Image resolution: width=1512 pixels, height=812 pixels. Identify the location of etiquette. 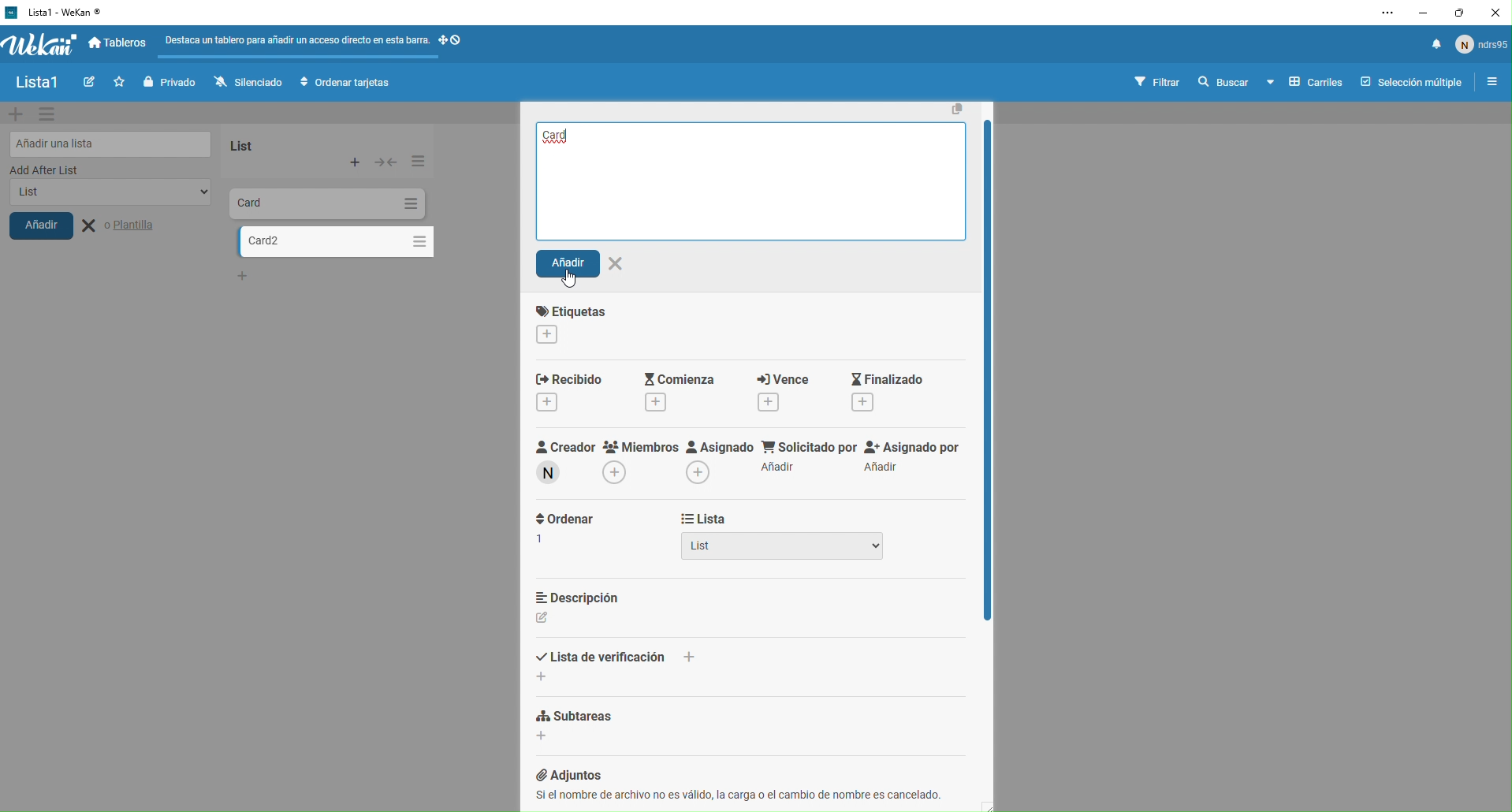
(600, 322).